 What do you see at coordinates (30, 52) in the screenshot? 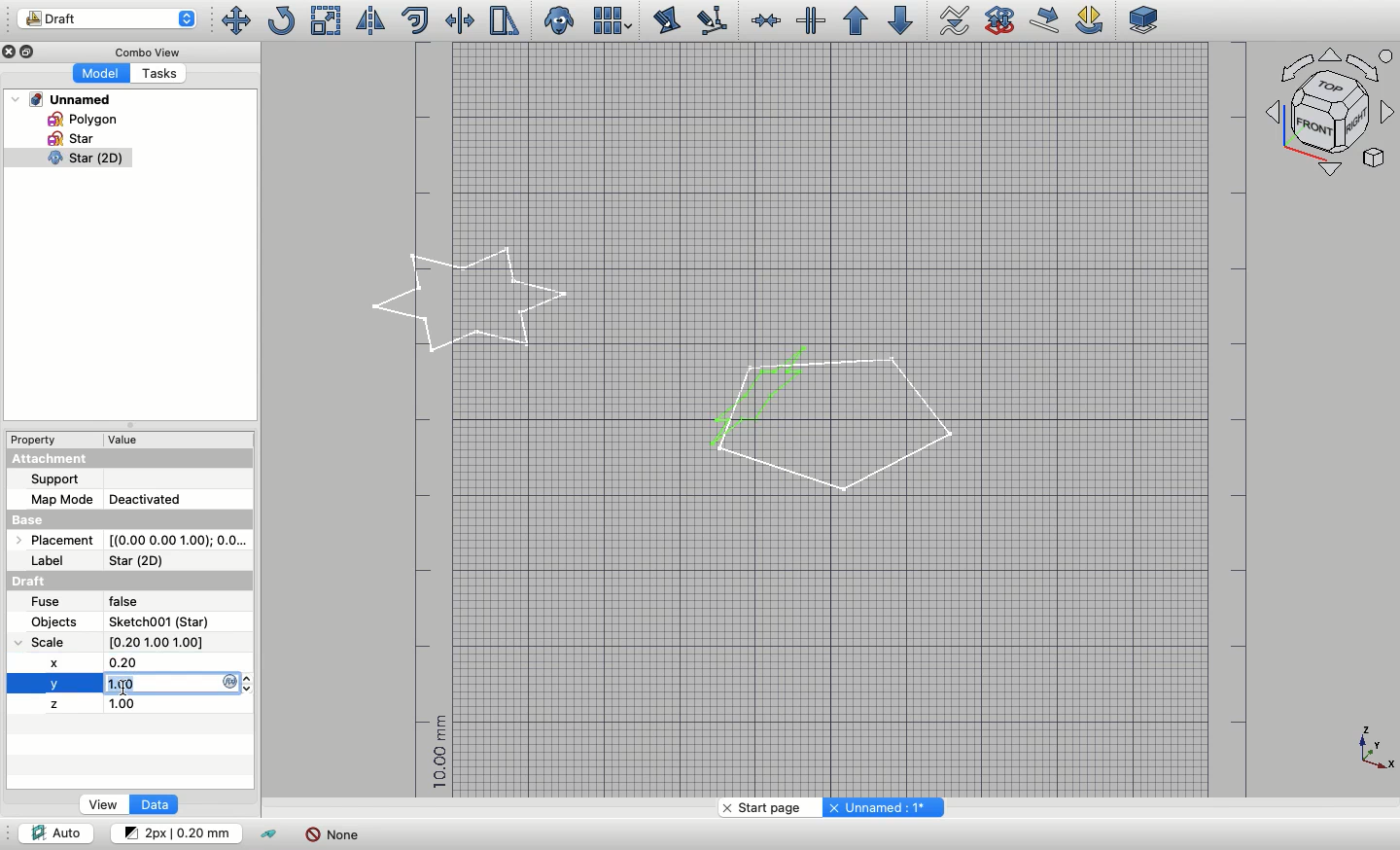
I see `Collapse` at bounding box center [30, 52].